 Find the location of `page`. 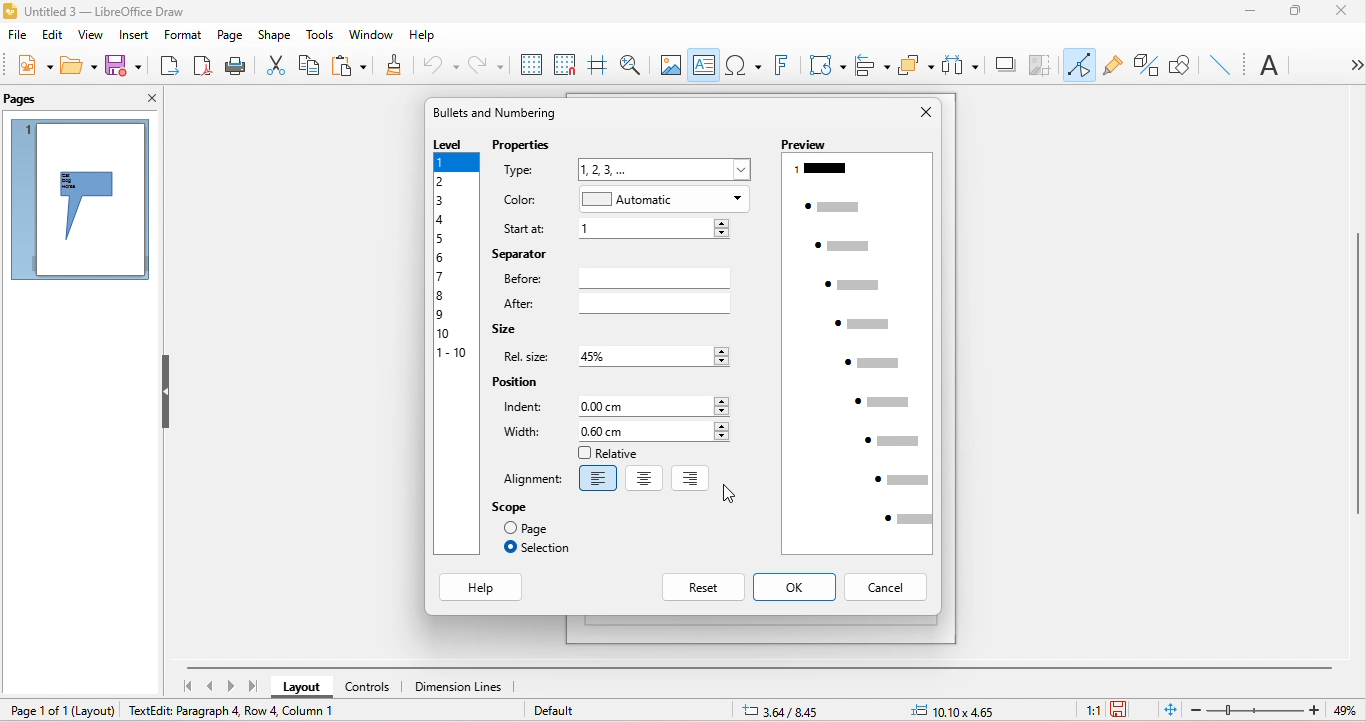

page is located at coordinates (541, 529).